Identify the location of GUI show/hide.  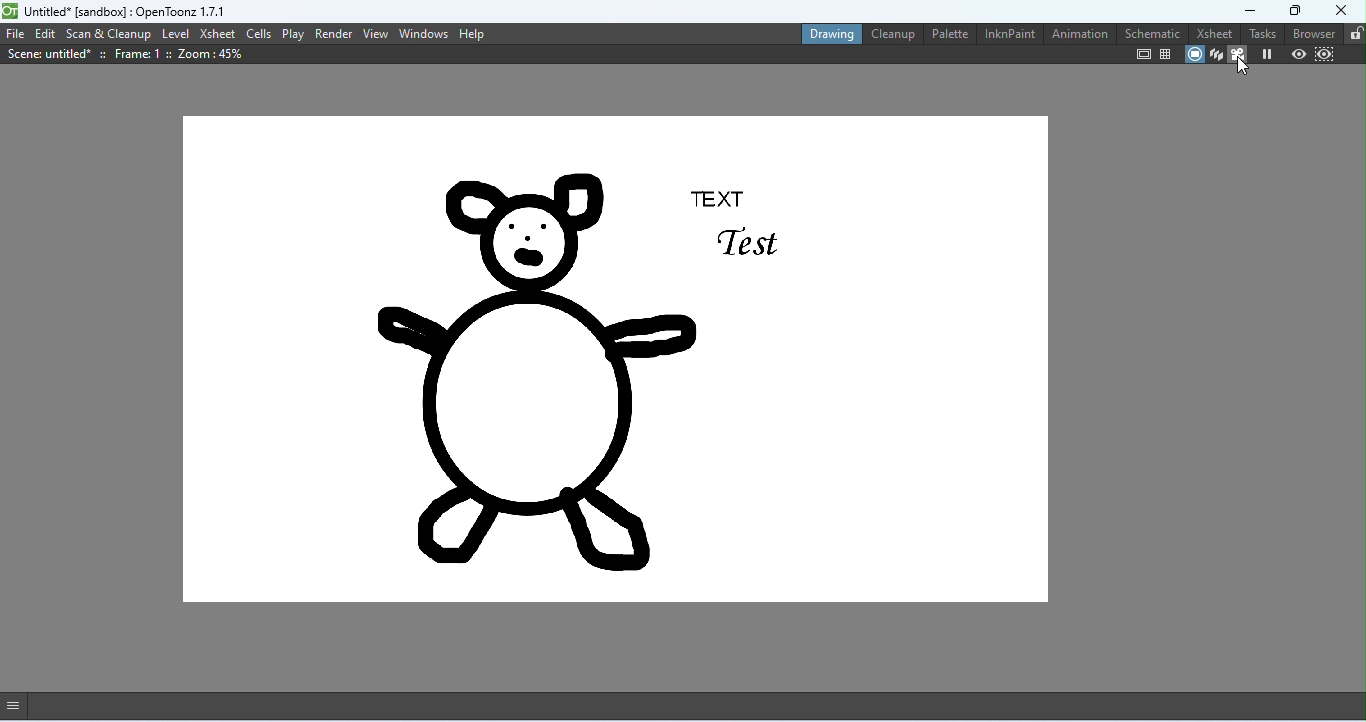
(20, 705).